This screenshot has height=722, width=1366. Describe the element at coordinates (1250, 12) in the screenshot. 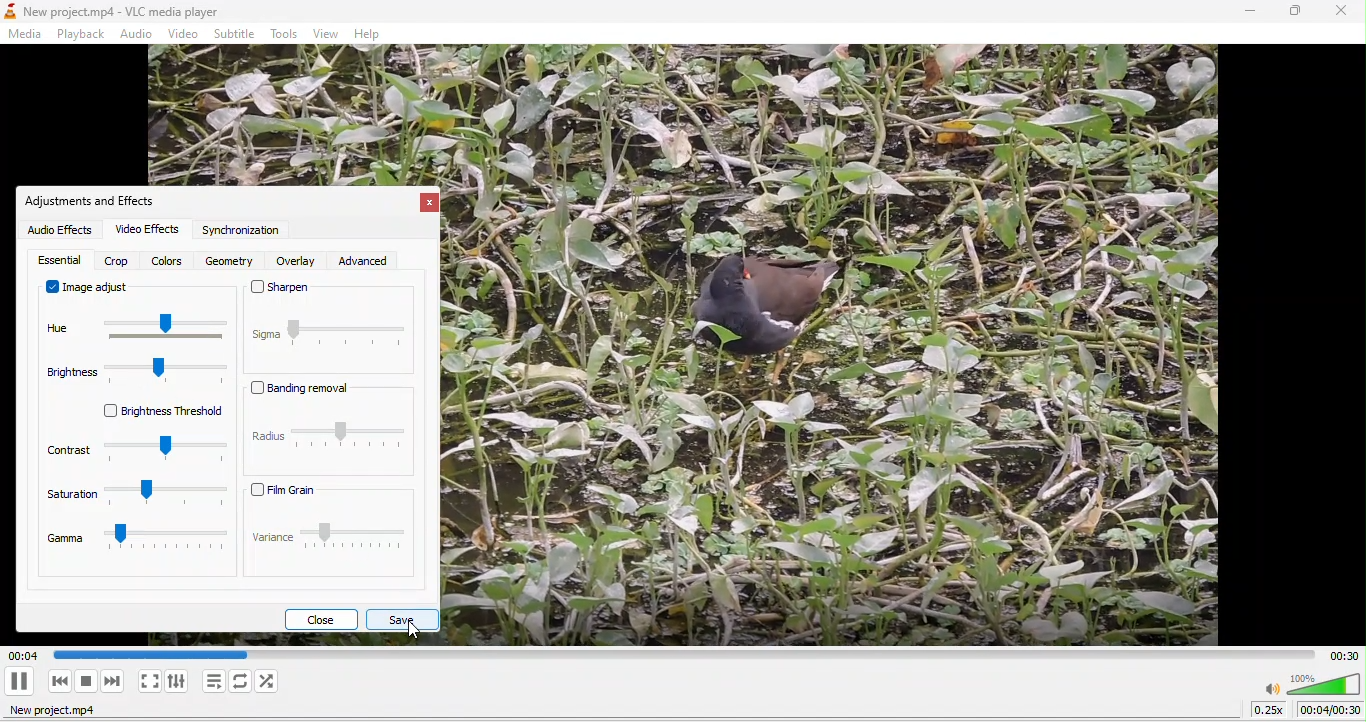

I see `minimize` at that location.